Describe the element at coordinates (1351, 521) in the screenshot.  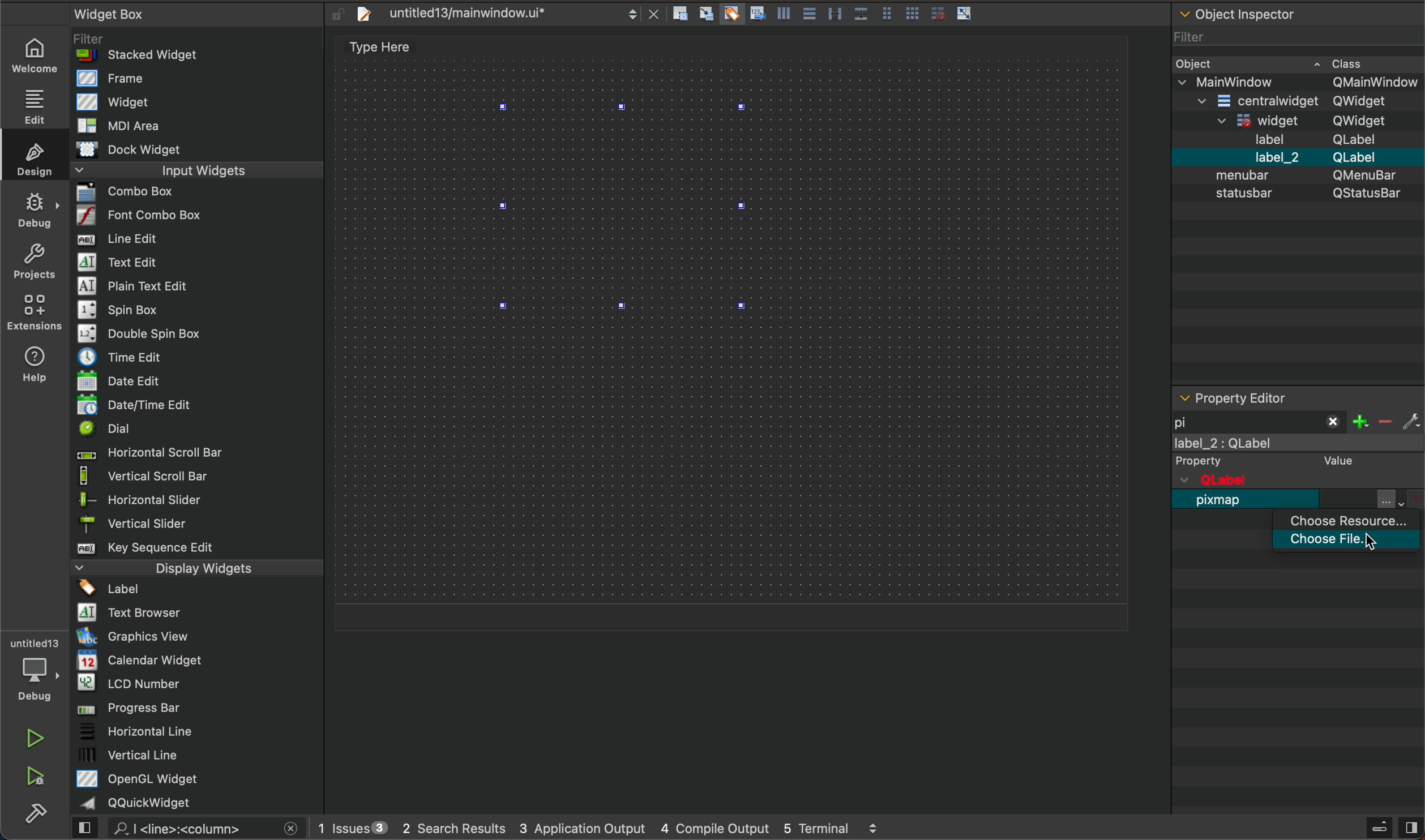
I see `choose resource ` at that location.